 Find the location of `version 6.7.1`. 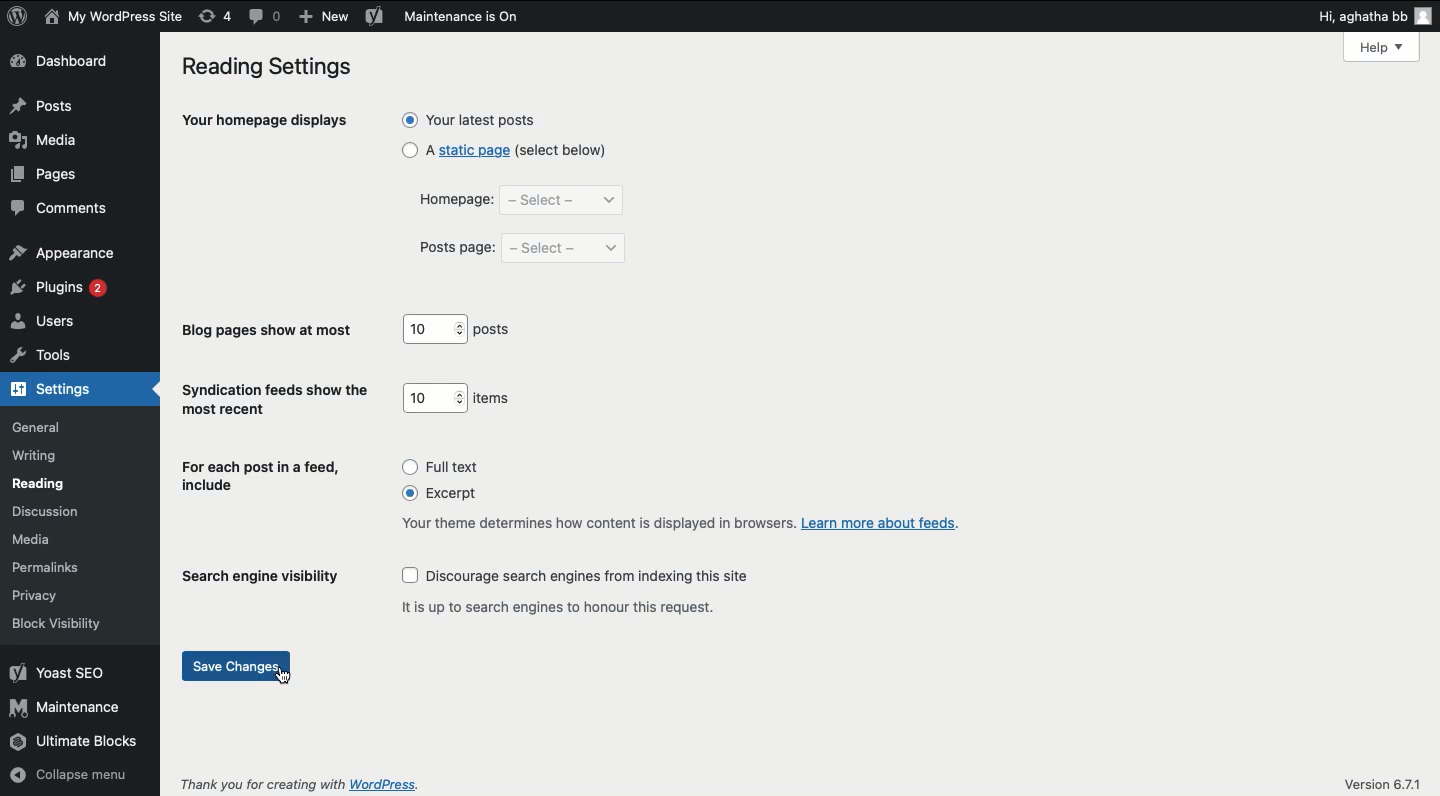

version 6.7.1 is located at coordinates (1384, 783).